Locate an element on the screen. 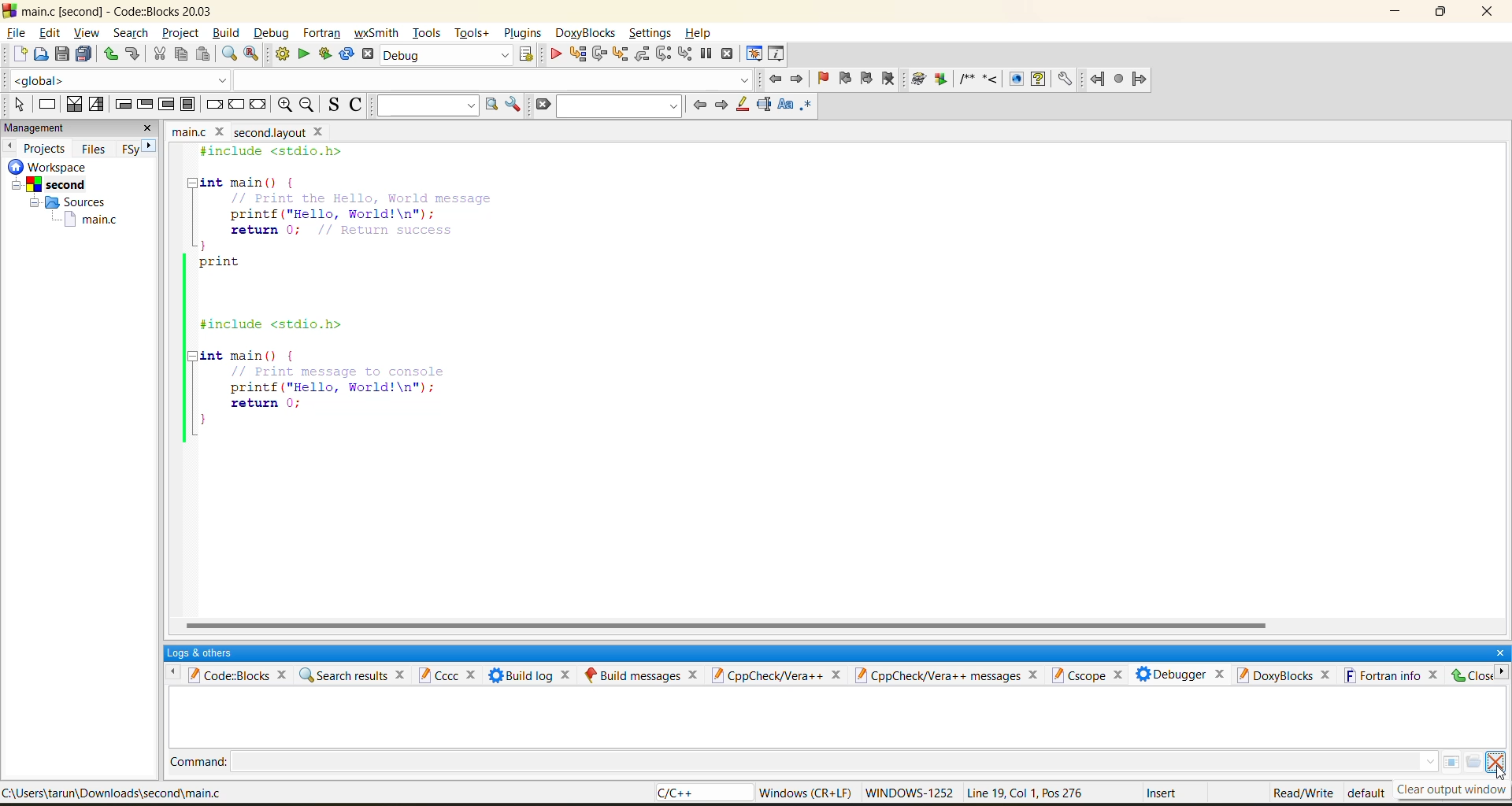 The image size is (1512, 806). paste is located at coordinates (202, 57).